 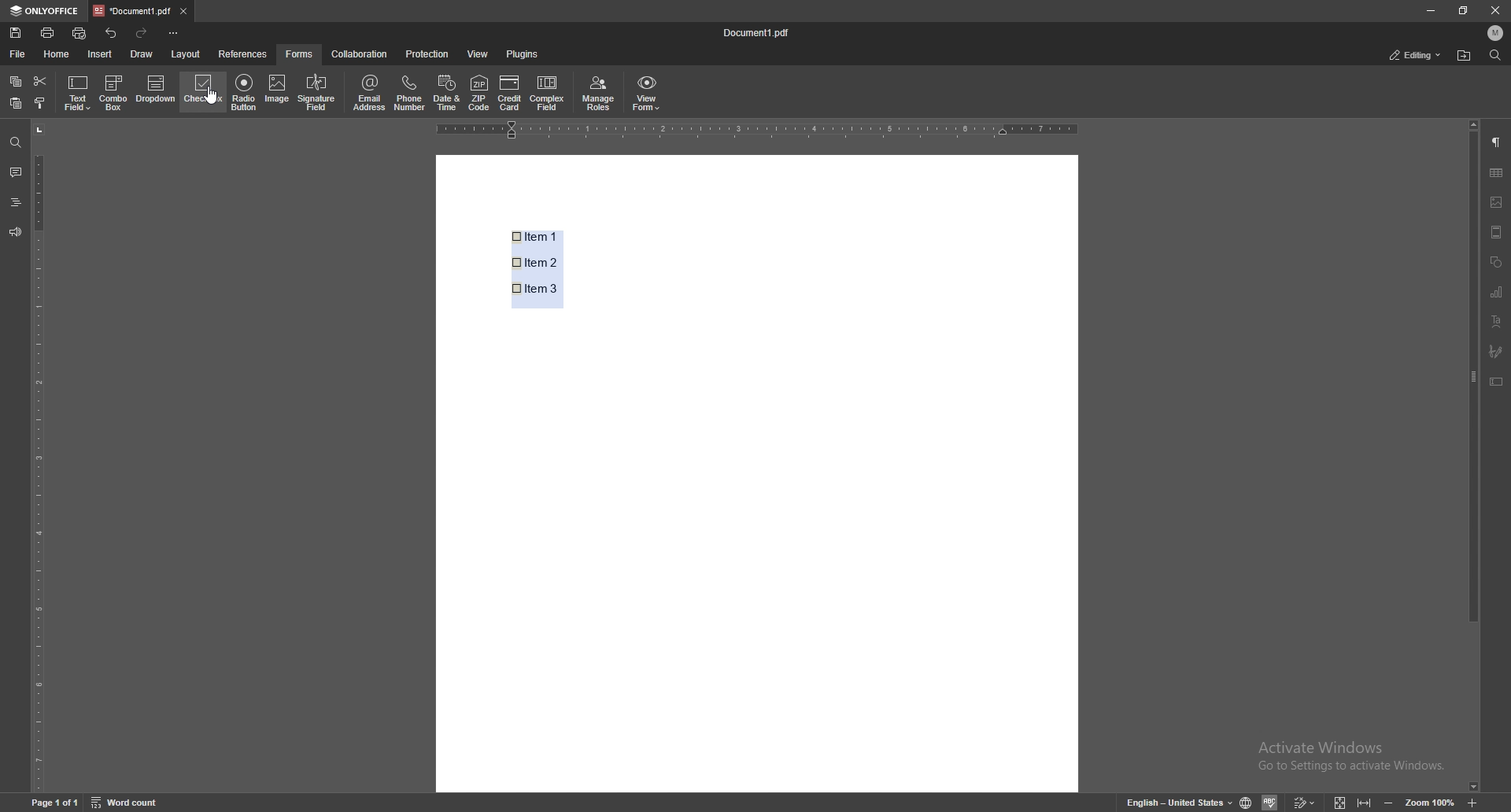 I want to click on chart, so click(x=1498, y=292).